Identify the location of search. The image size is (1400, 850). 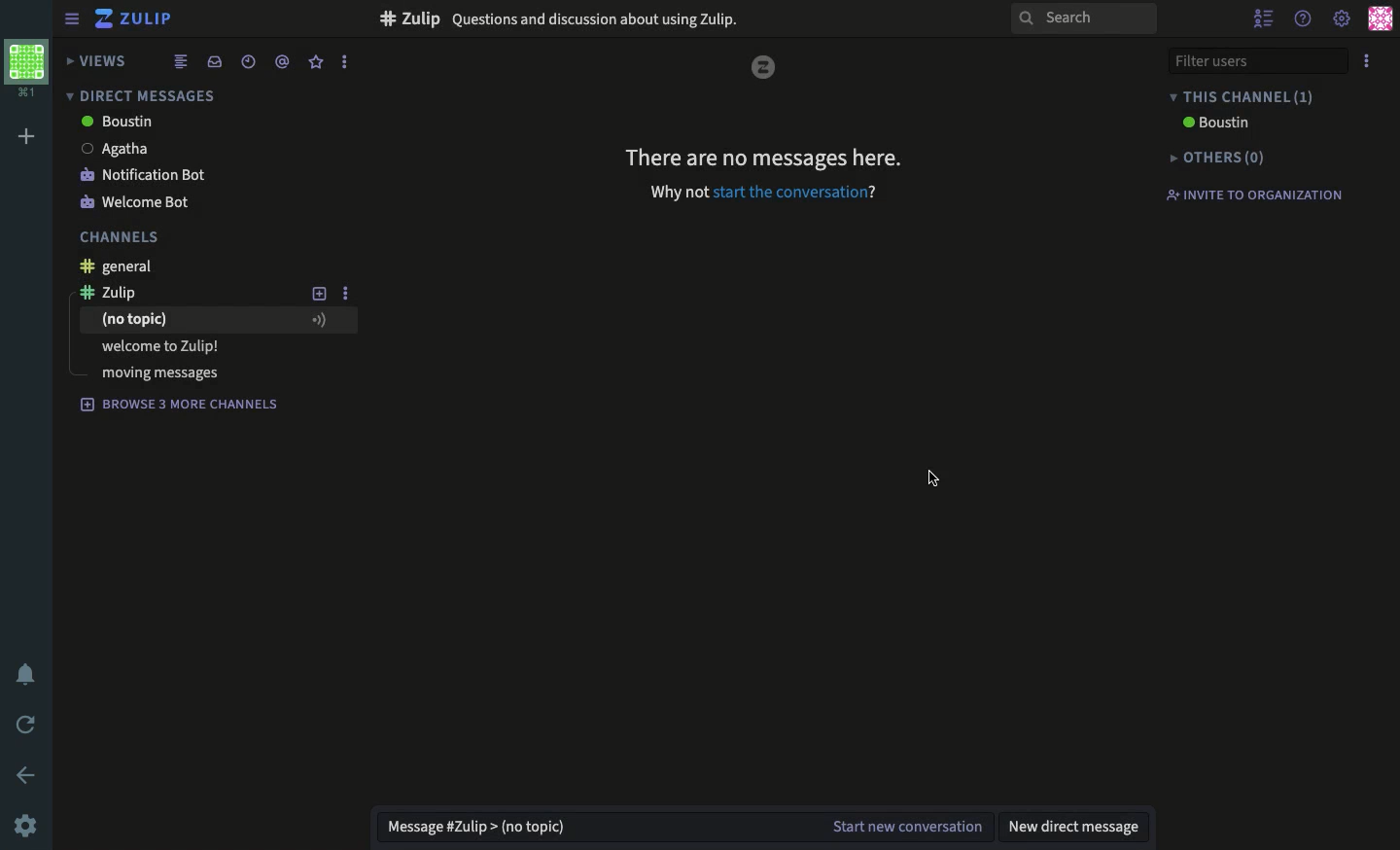
(1083, 19).